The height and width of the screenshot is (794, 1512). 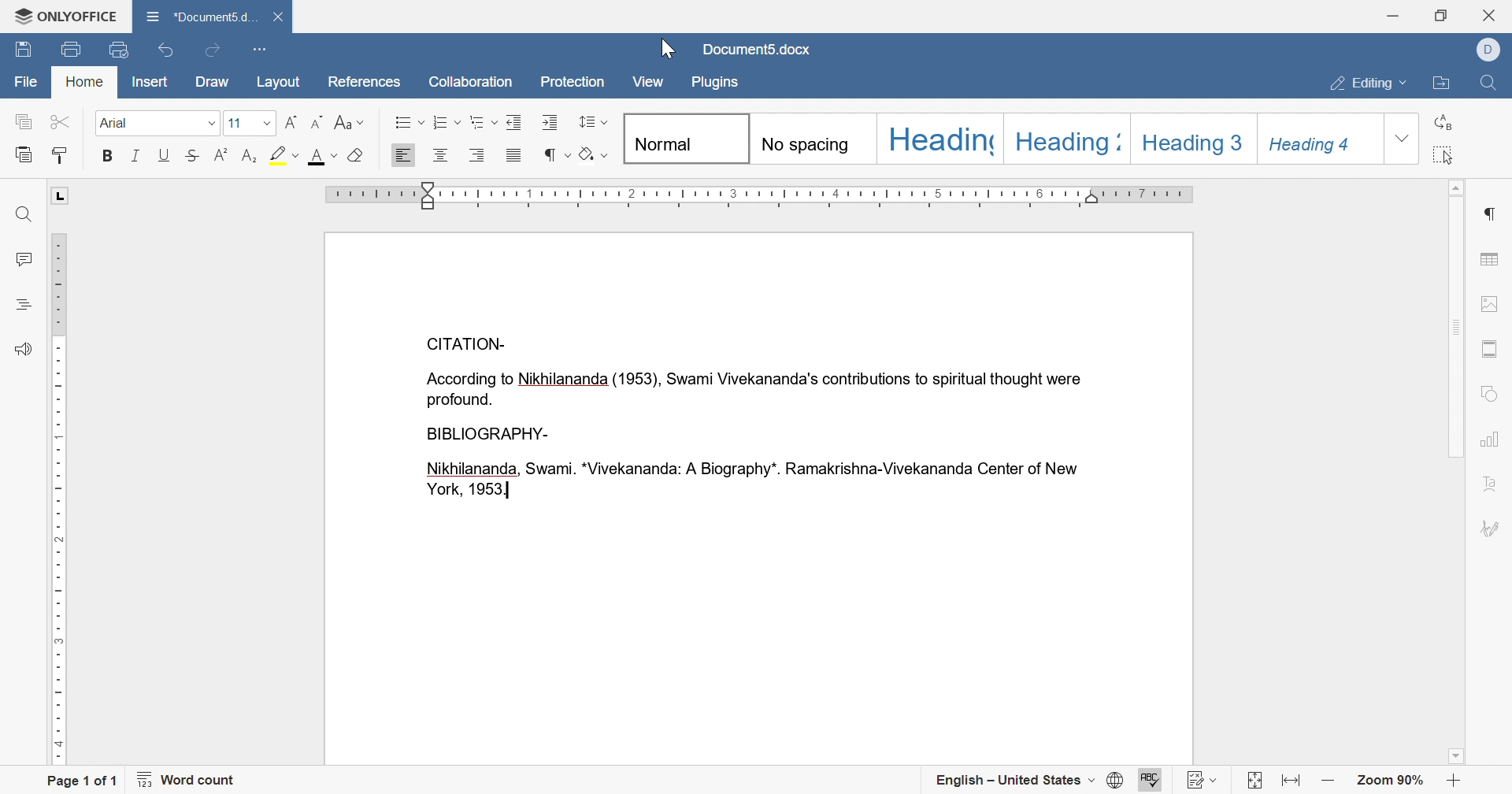 I want to click on undo, so click(x=165, y=50).